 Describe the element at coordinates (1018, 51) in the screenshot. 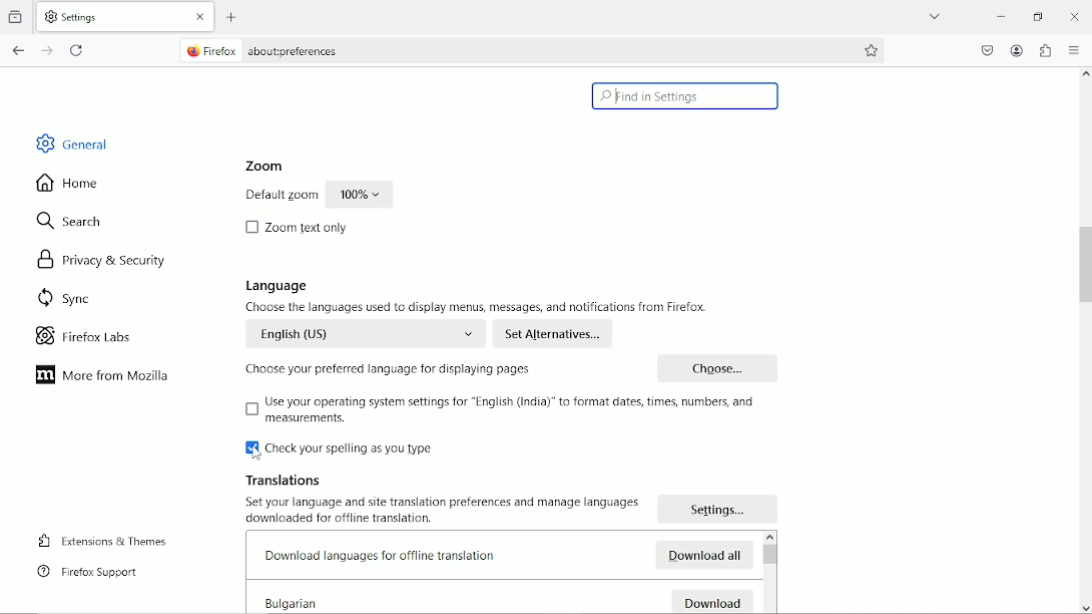

I see `Account` at that location.